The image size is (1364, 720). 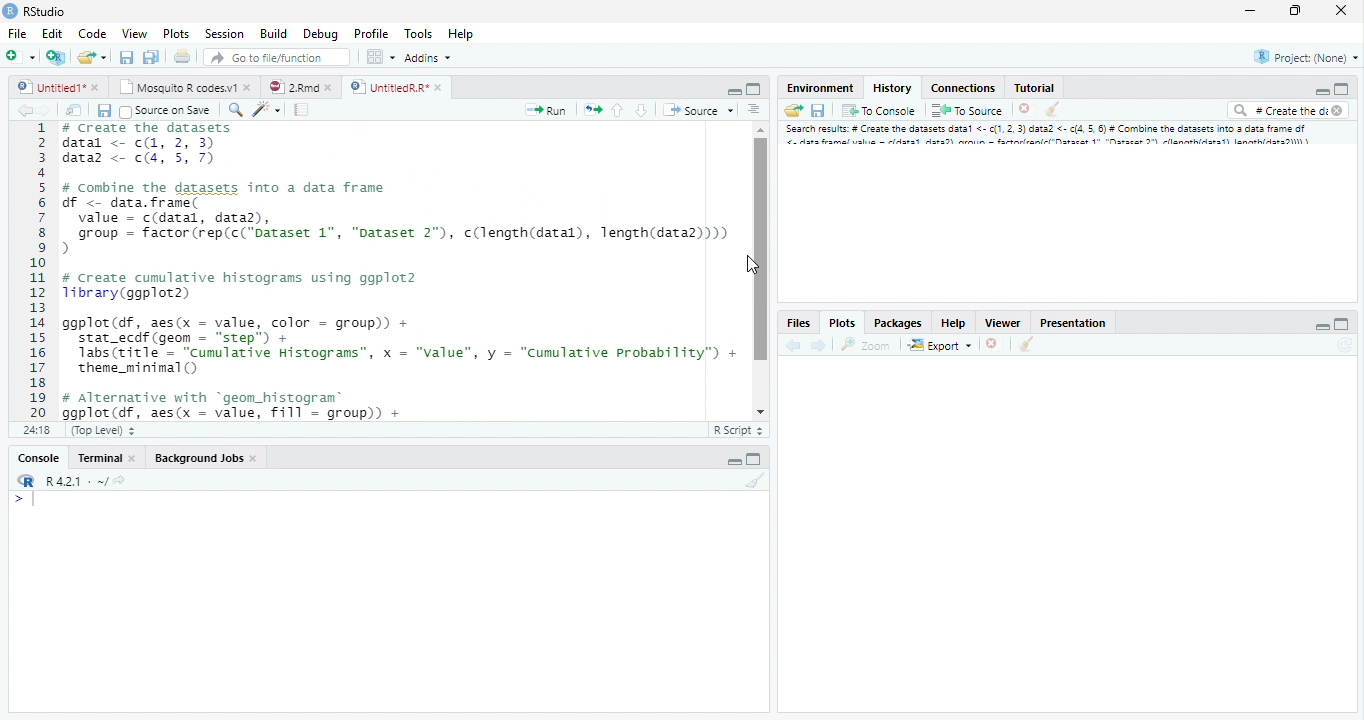 I want to click on Show in the new window, so click(x=72, y=110).